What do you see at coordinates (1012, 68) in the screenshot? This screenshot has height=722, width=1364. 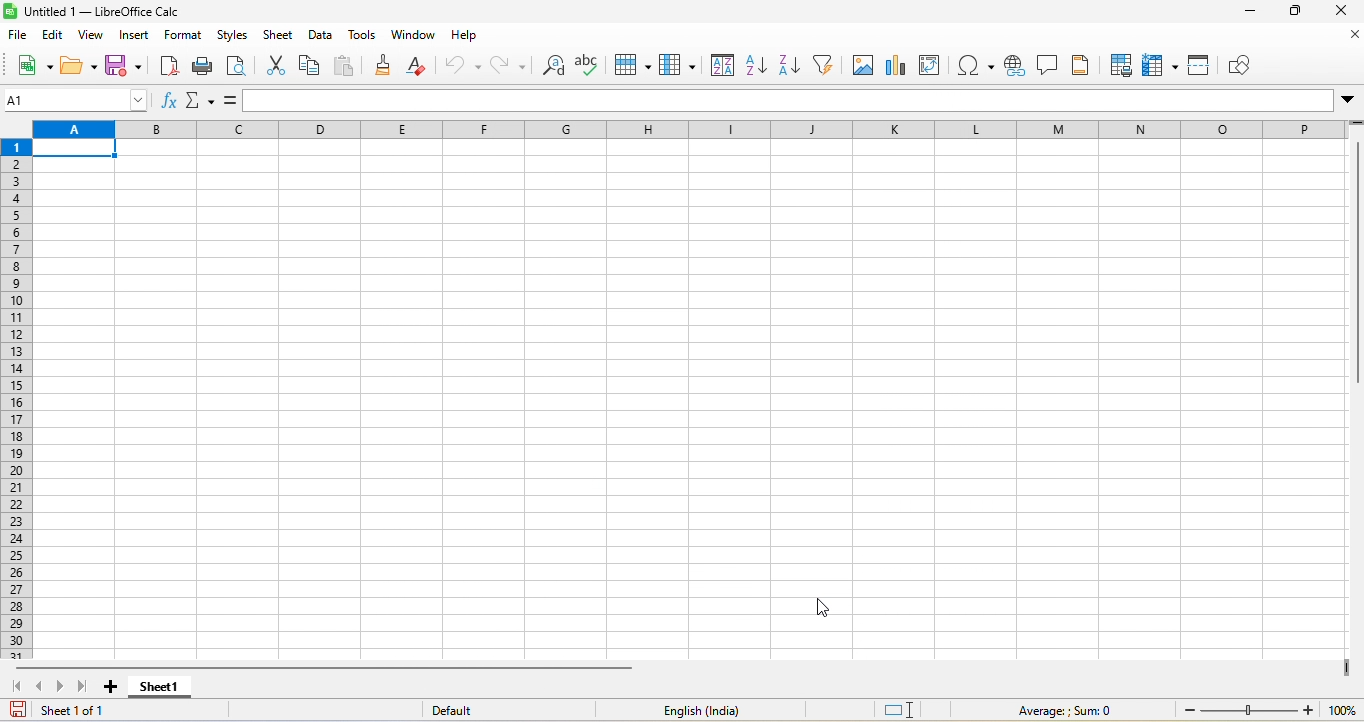 I see `hyperlink` at bounding box center [1012, 68].